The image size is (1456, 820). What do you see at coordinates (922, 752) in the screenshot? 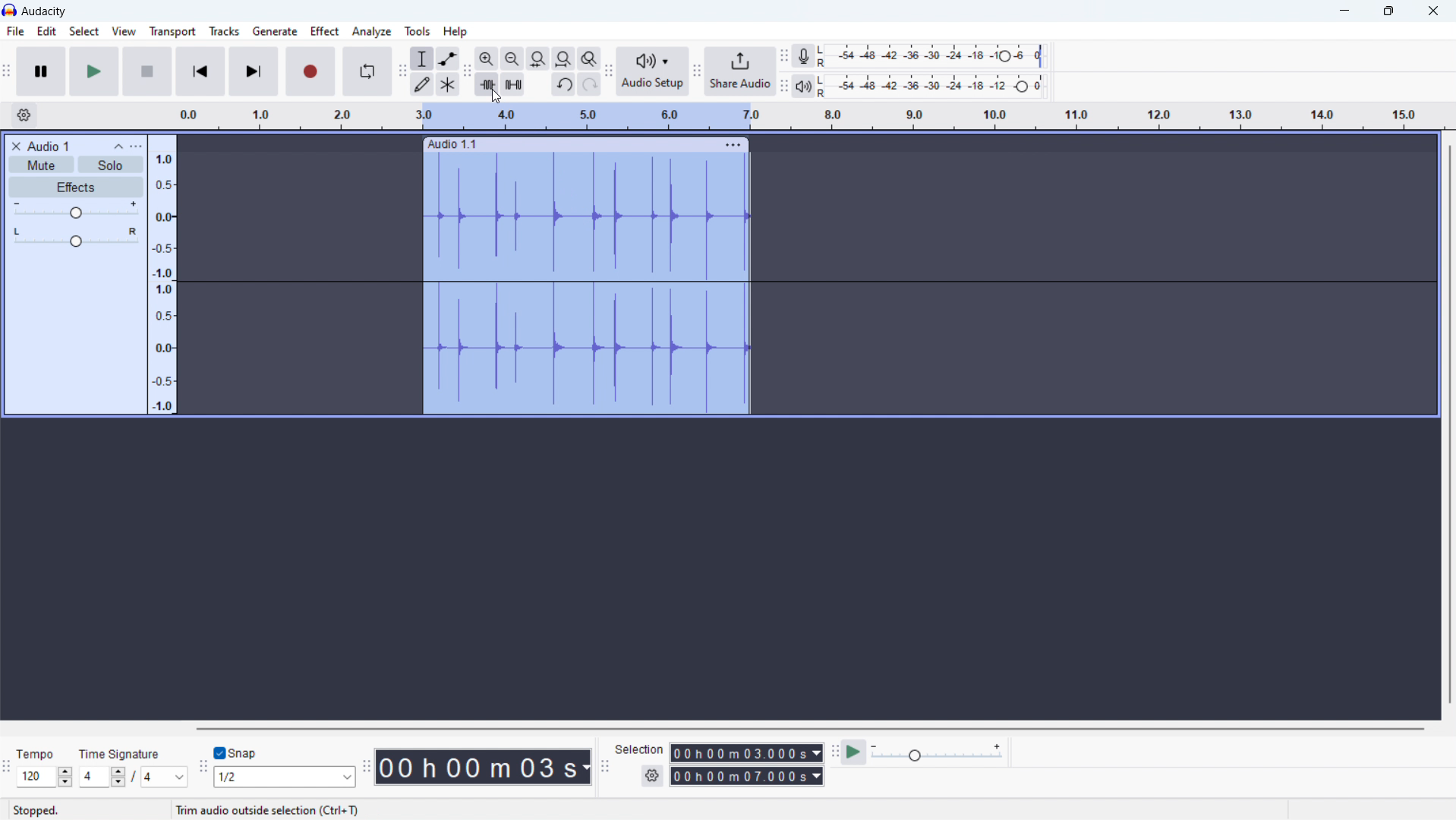
I see `play at speed` at bounding box center [922, 752].